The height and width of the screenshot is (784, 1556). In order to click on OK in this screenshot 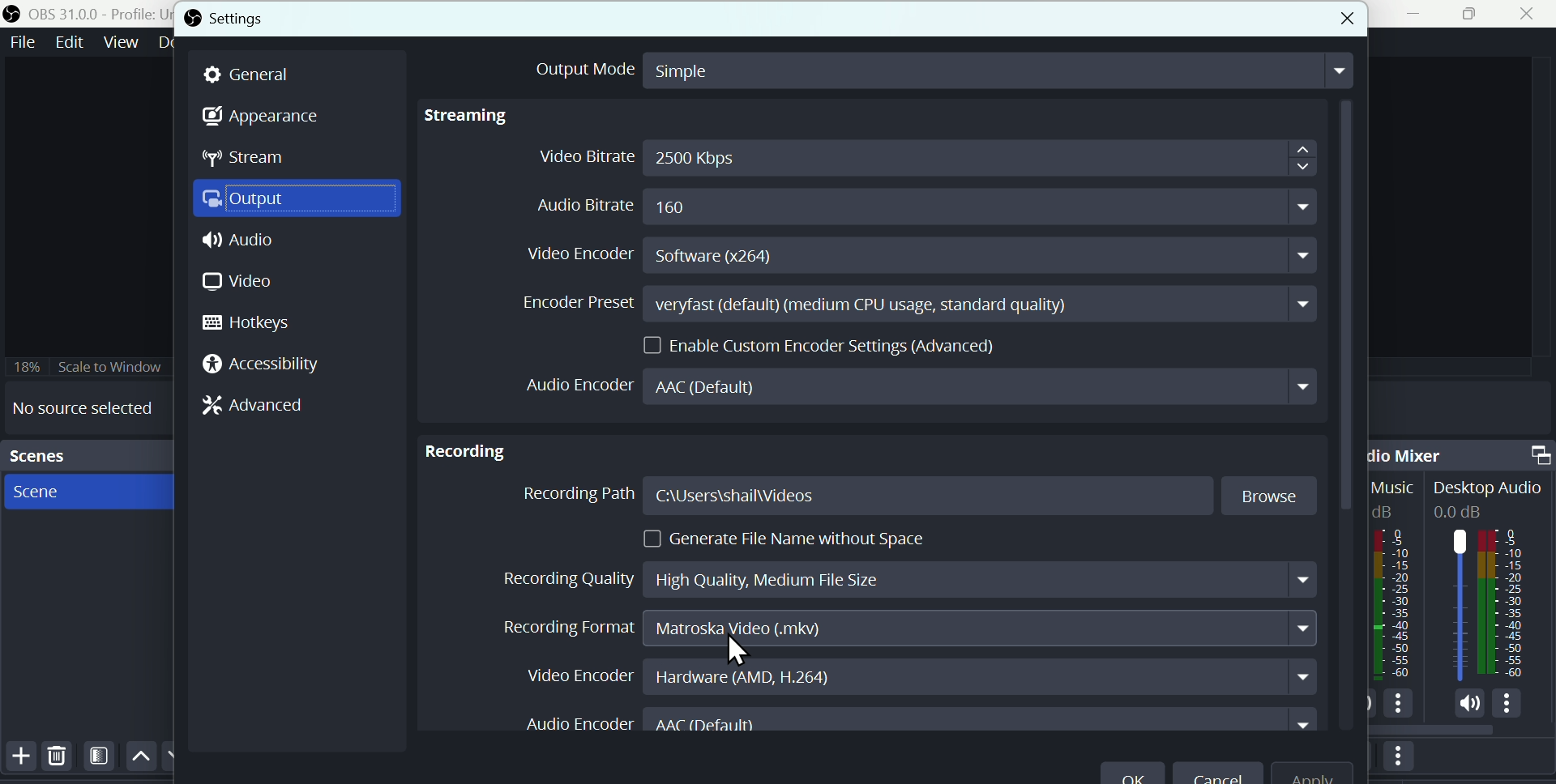, I will do `click(1135, 769)`.